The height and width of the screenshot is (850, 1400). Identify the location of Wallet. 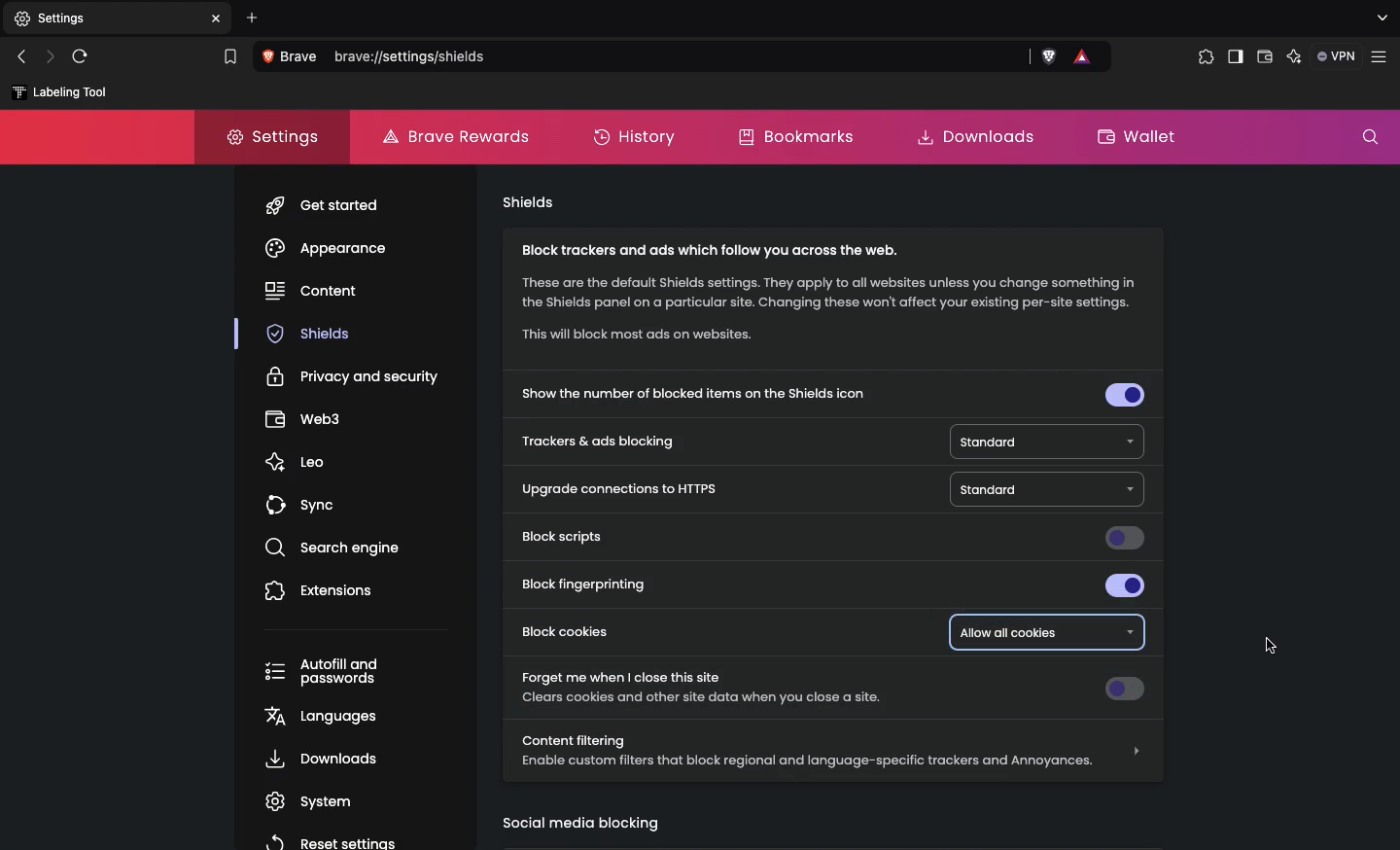
(1139, 140).